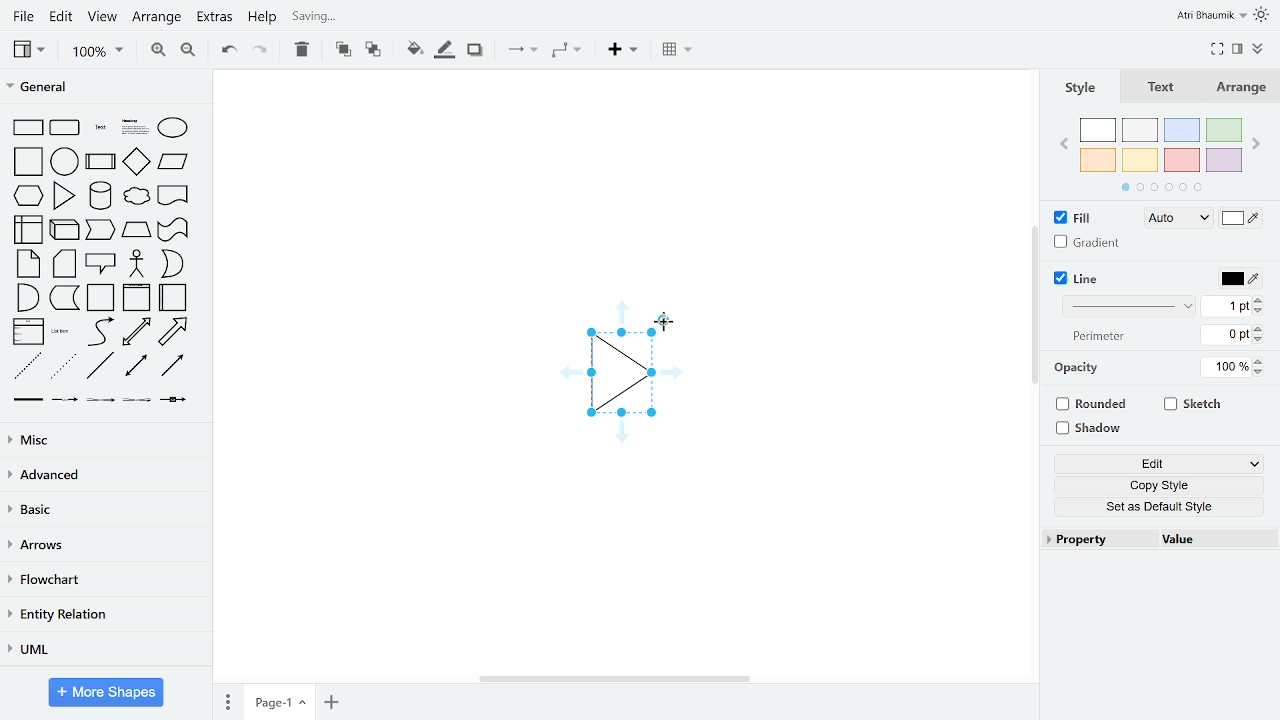 The height and width of the screenshot is (720, 1280). Describe the element at coordinates (1160, 486) in the screenshot. I see `copy style` at that location.